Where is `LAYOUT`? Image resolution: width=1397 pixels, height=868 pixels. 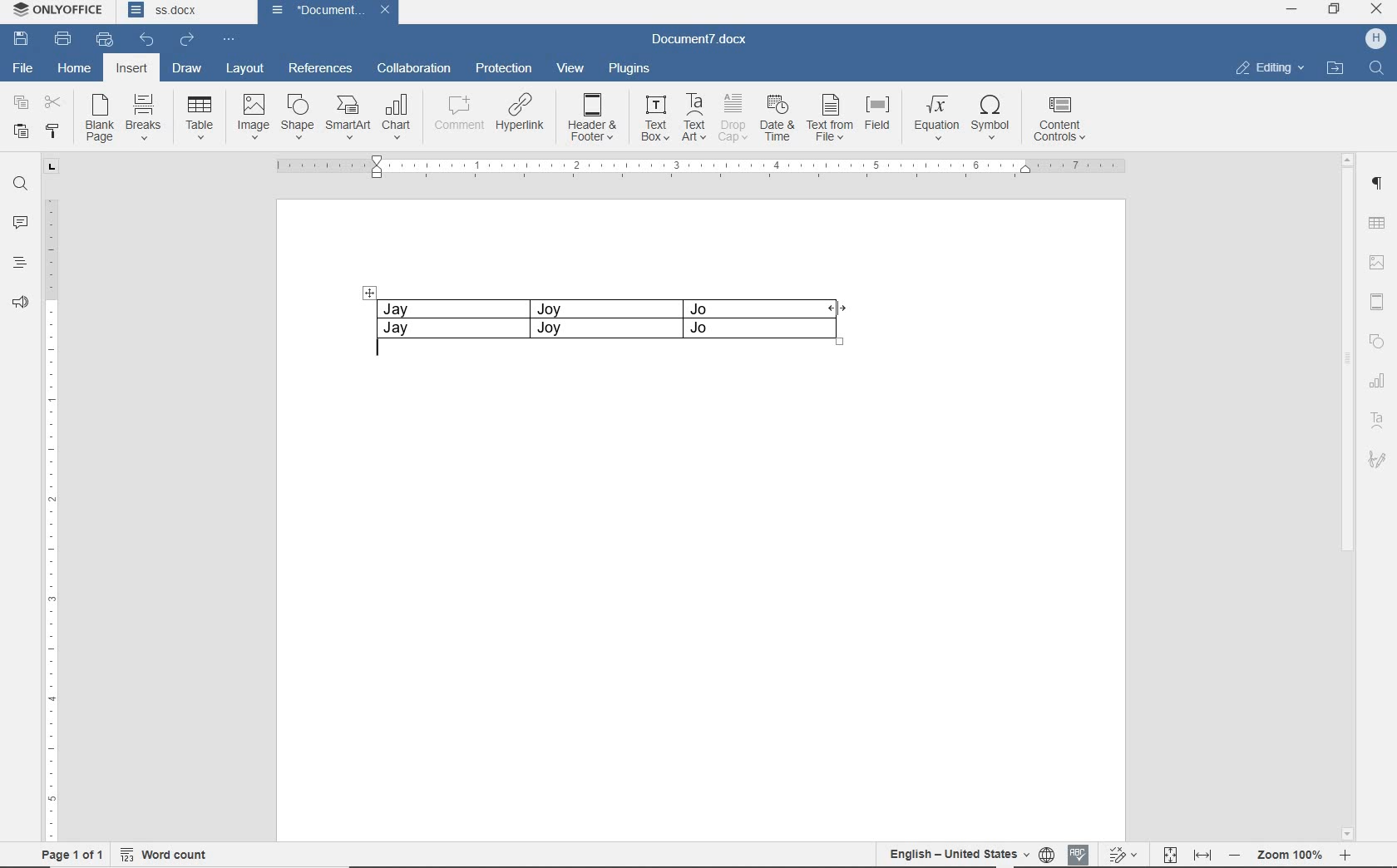
LAYOUT is located at coordinates (245, 69).